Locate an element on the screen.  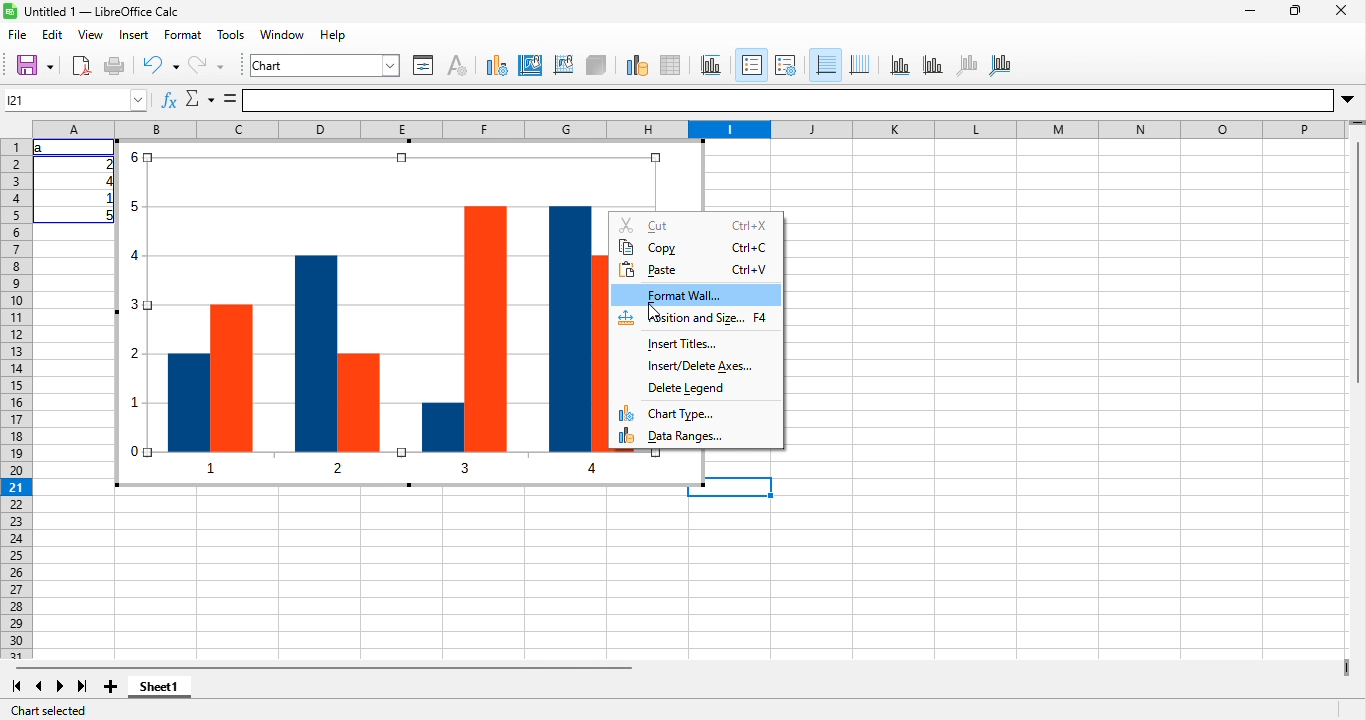
first sheet is located at coordinates (17, 686).